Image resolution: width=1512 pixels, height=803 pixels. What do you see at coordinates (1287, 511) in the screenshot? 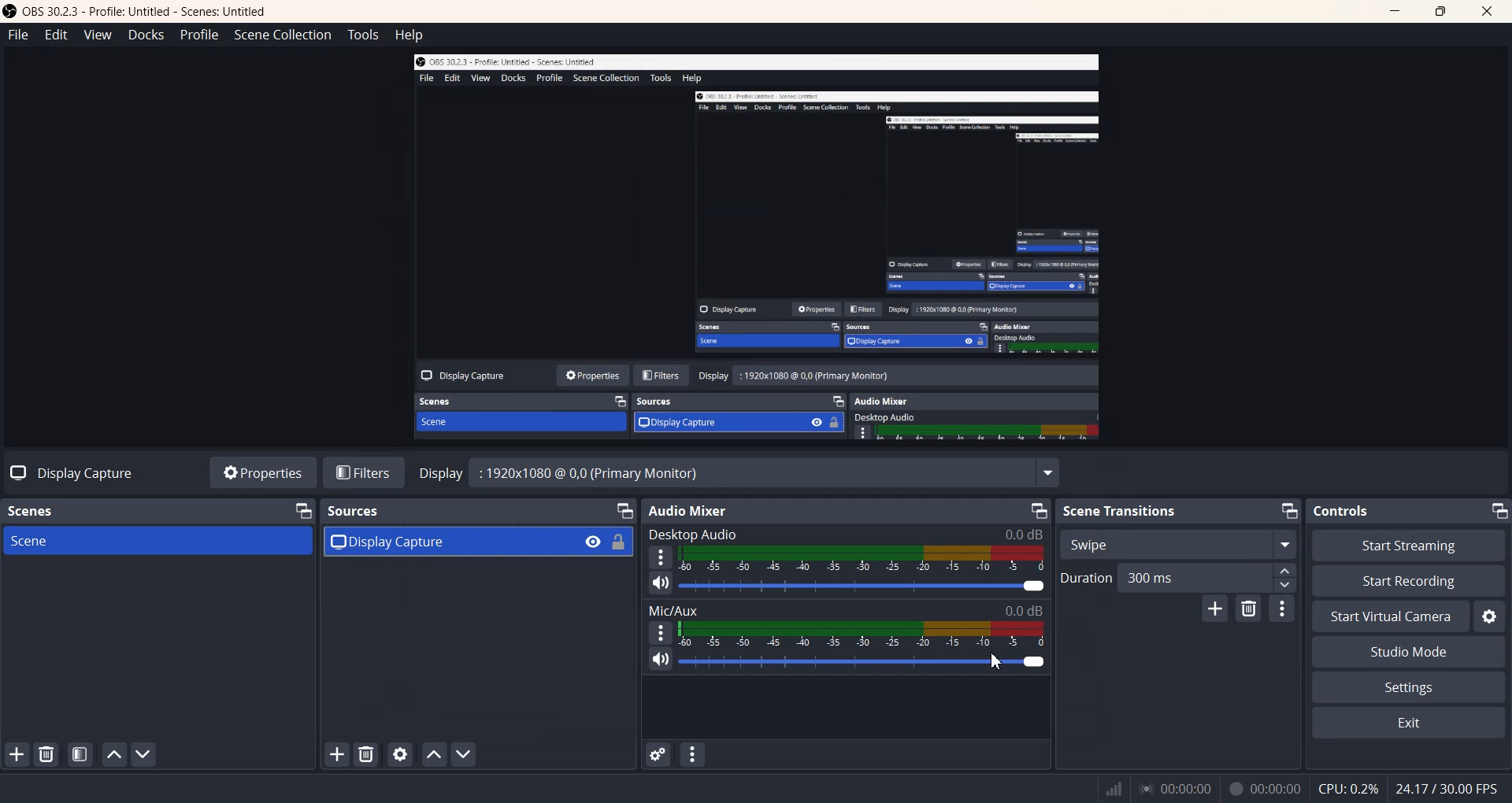
I see `Minimize` at bounding box center [1287, 511].